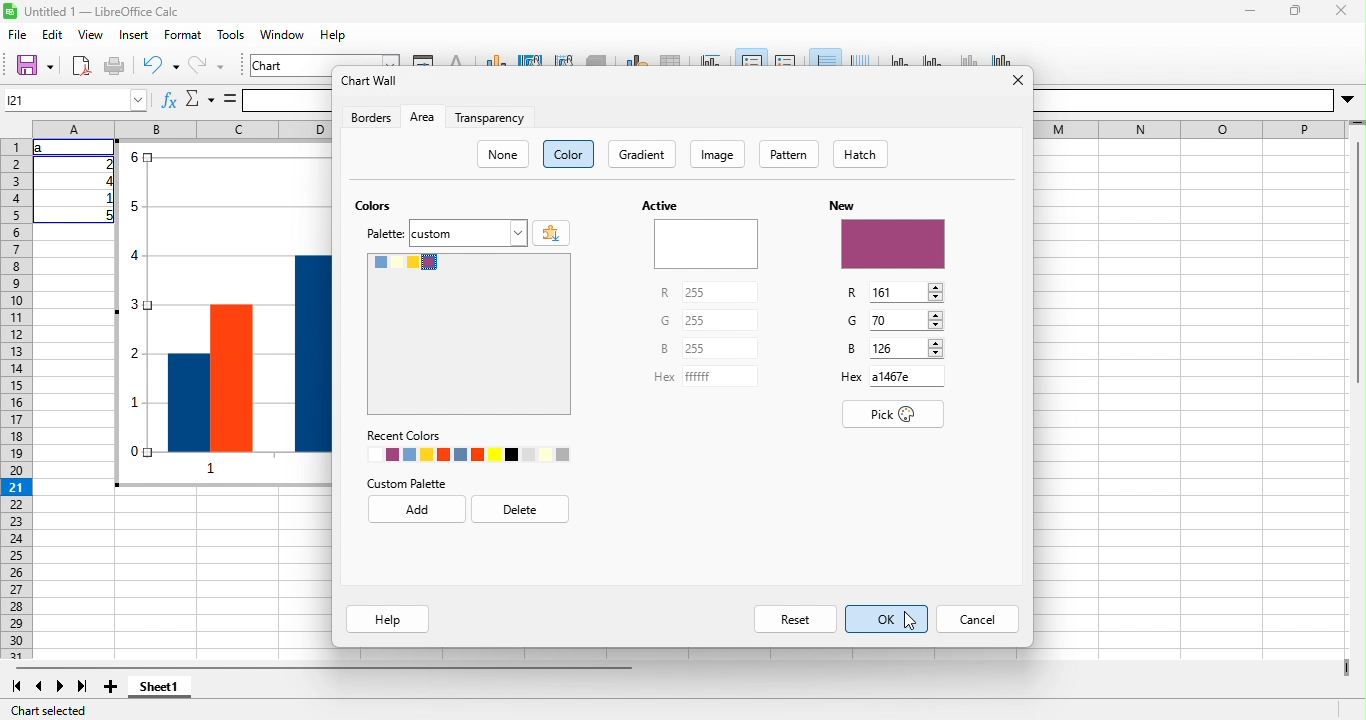  Describe the element at coordinates (325, 60) in the screenshot. I see `chart area` at that location.